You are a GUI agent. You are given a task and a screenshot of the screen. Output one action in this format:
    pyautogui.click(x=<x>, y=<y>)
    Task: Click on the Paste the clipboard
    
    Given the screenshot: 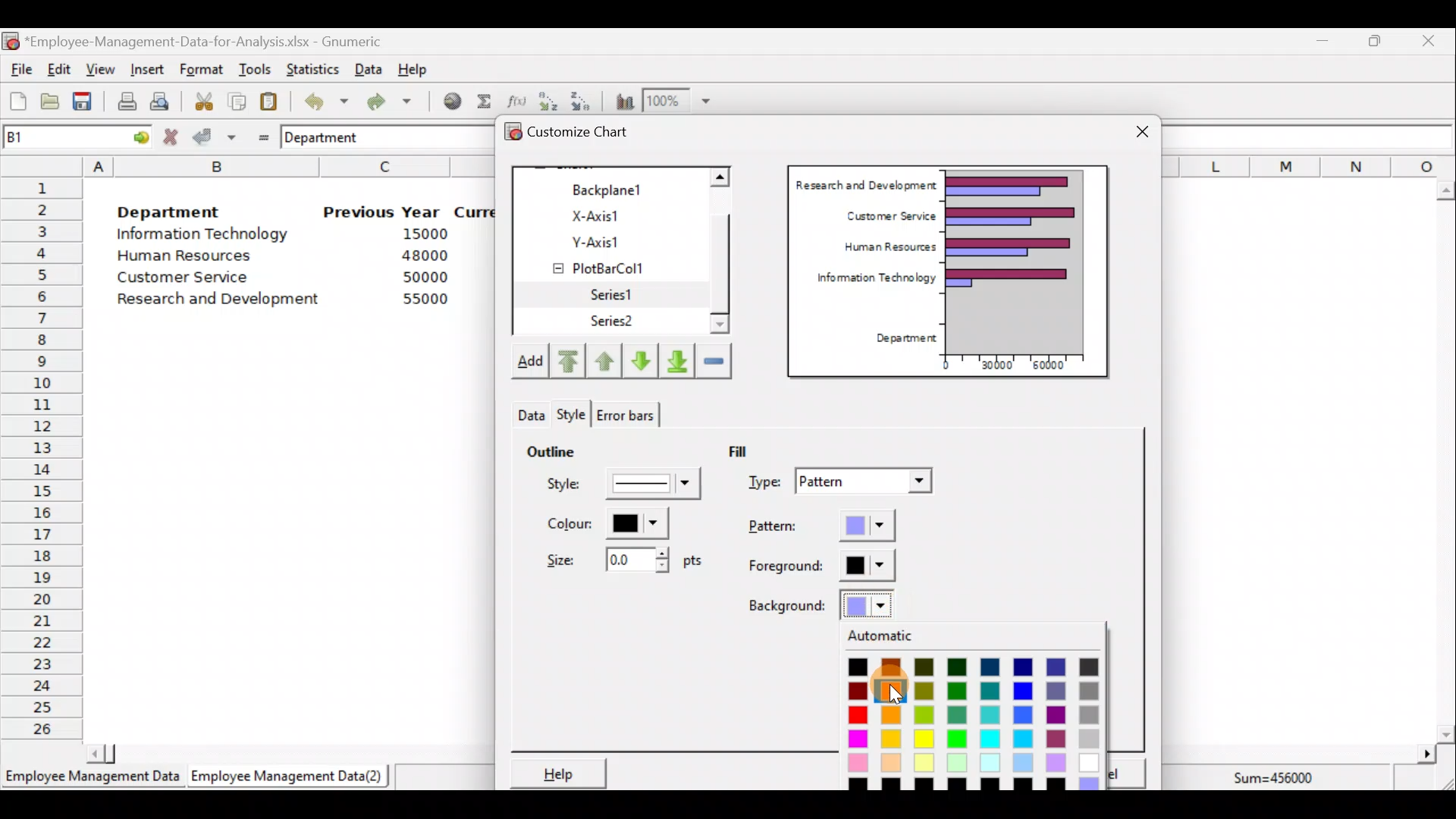 What is the action you would take?
    pyautogui.click(x=268, y=101)
    